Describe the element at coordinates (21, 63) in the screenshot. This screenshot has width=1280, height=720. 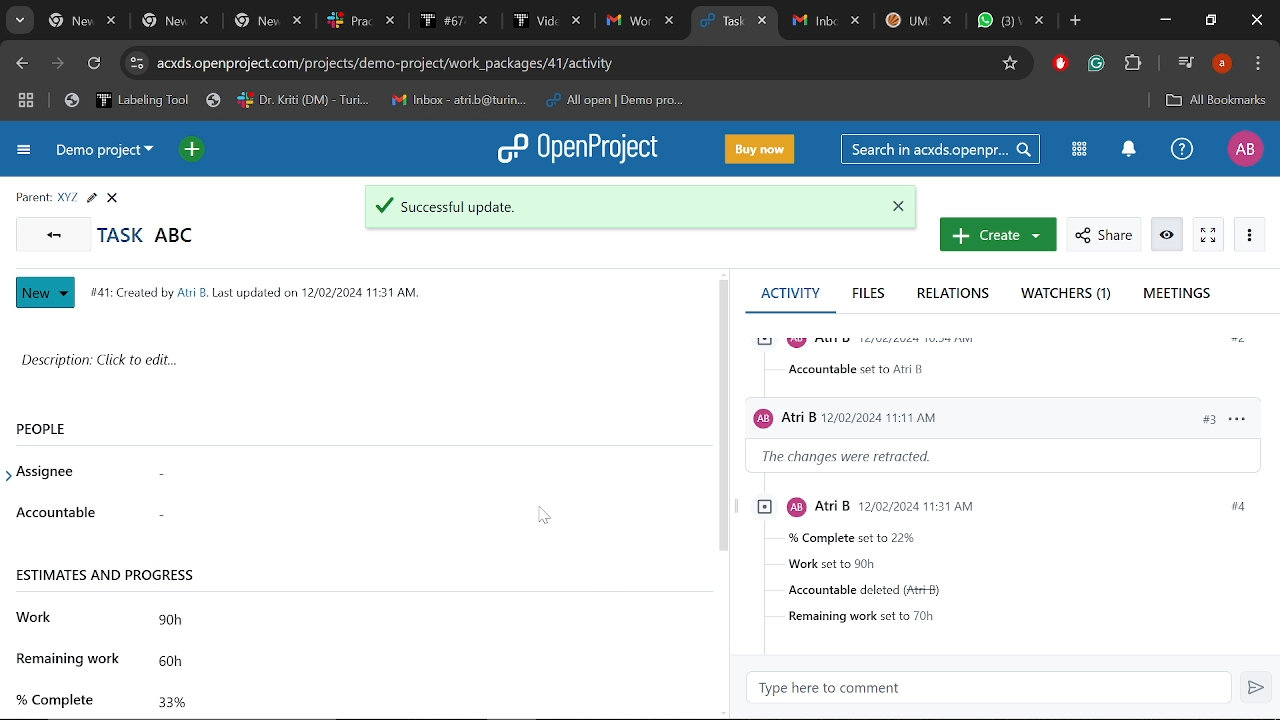
I see `Previous page` at that location.